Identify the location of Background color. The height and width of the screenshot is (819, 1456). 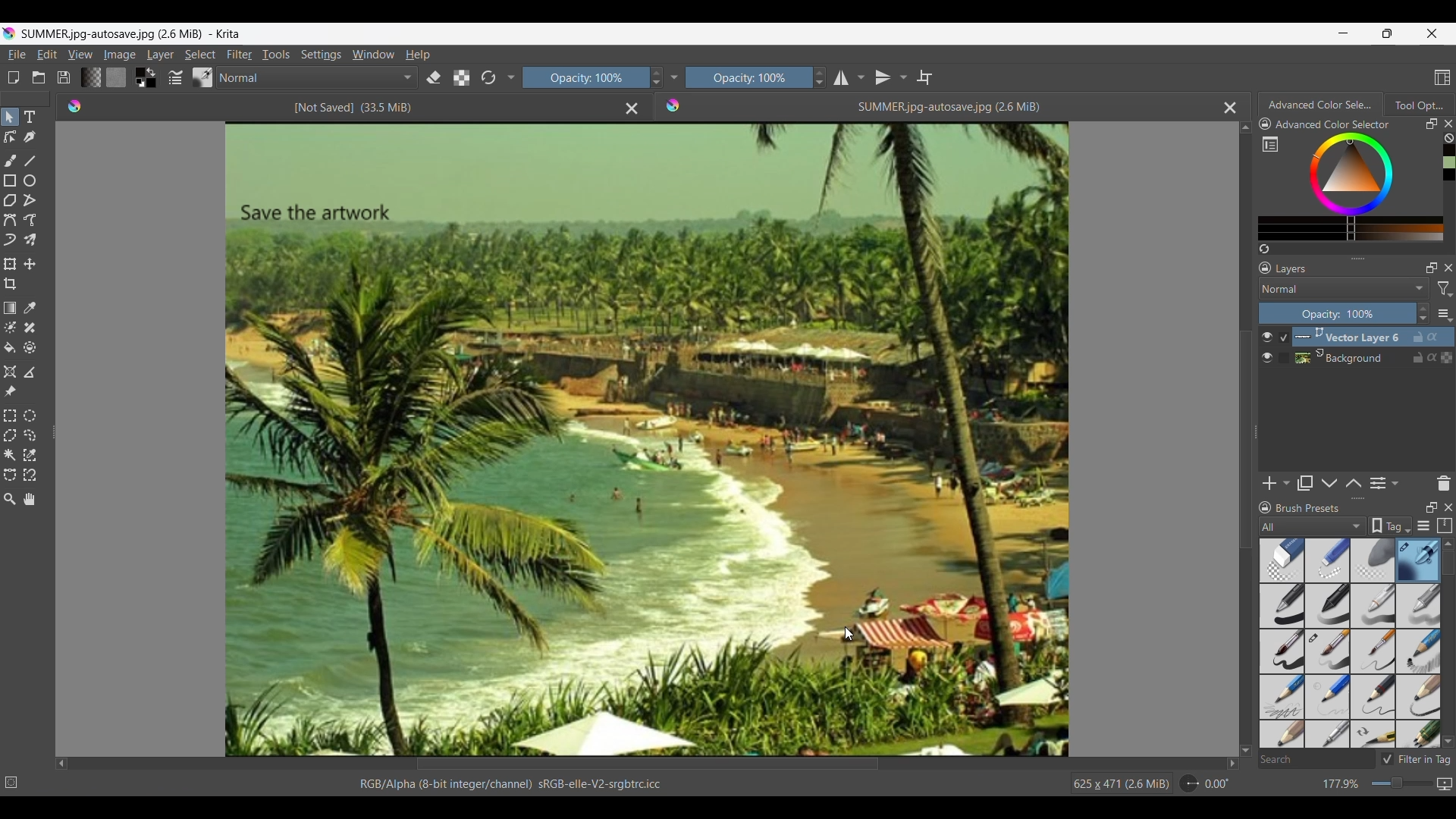
(152, 83).